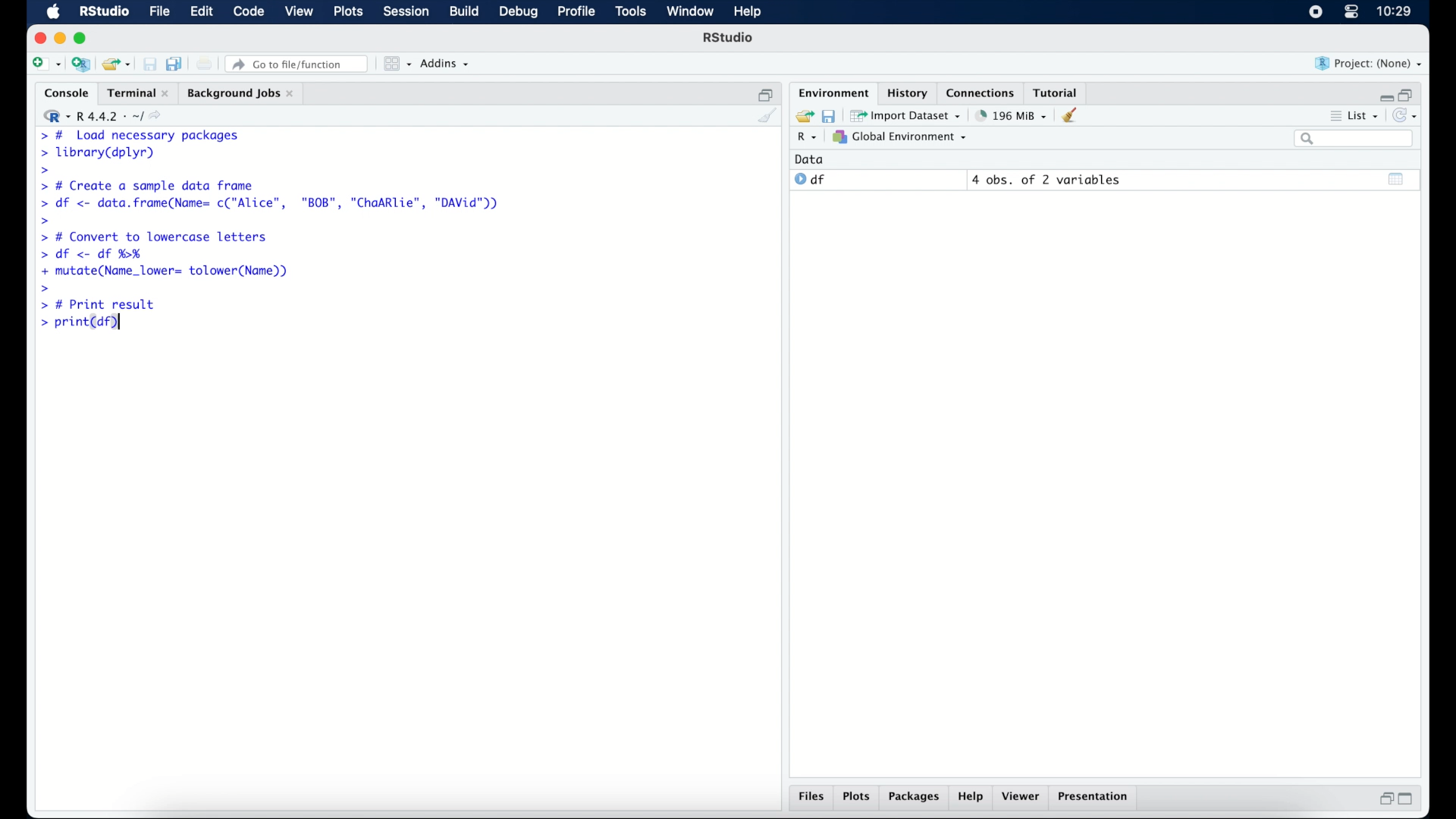 This screenshot has height=819, width=1456. What do you see at coordinates (85, 324) in the screenshot?
I see `> print(df)|` at bounding box center [85, 324].